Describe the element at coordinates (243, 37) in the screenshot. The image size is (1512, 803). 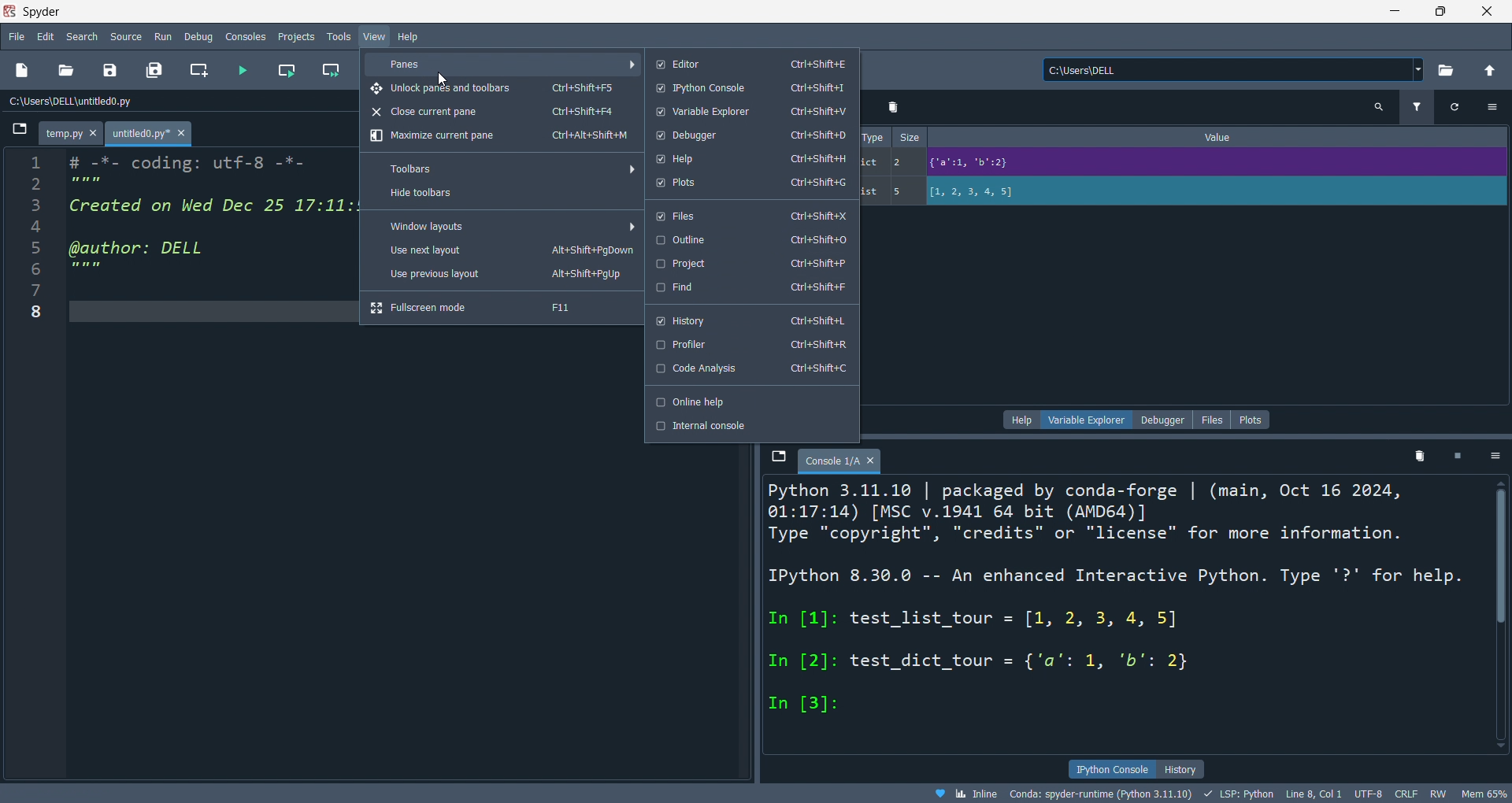
I see `consolesn` at that location.